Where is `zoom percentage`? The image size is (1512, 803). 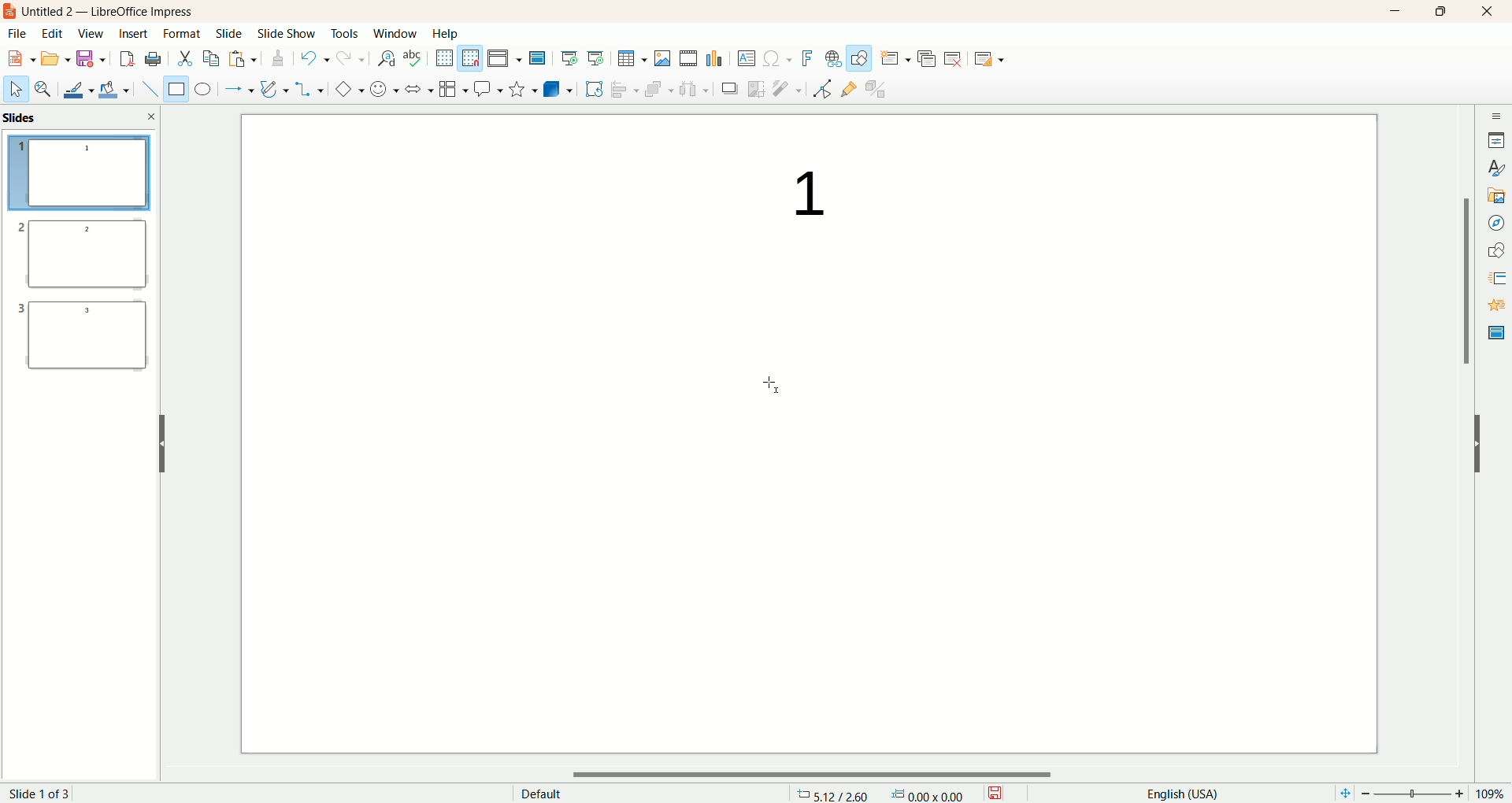 zoom percentage is located at coordinates (1494, 794).